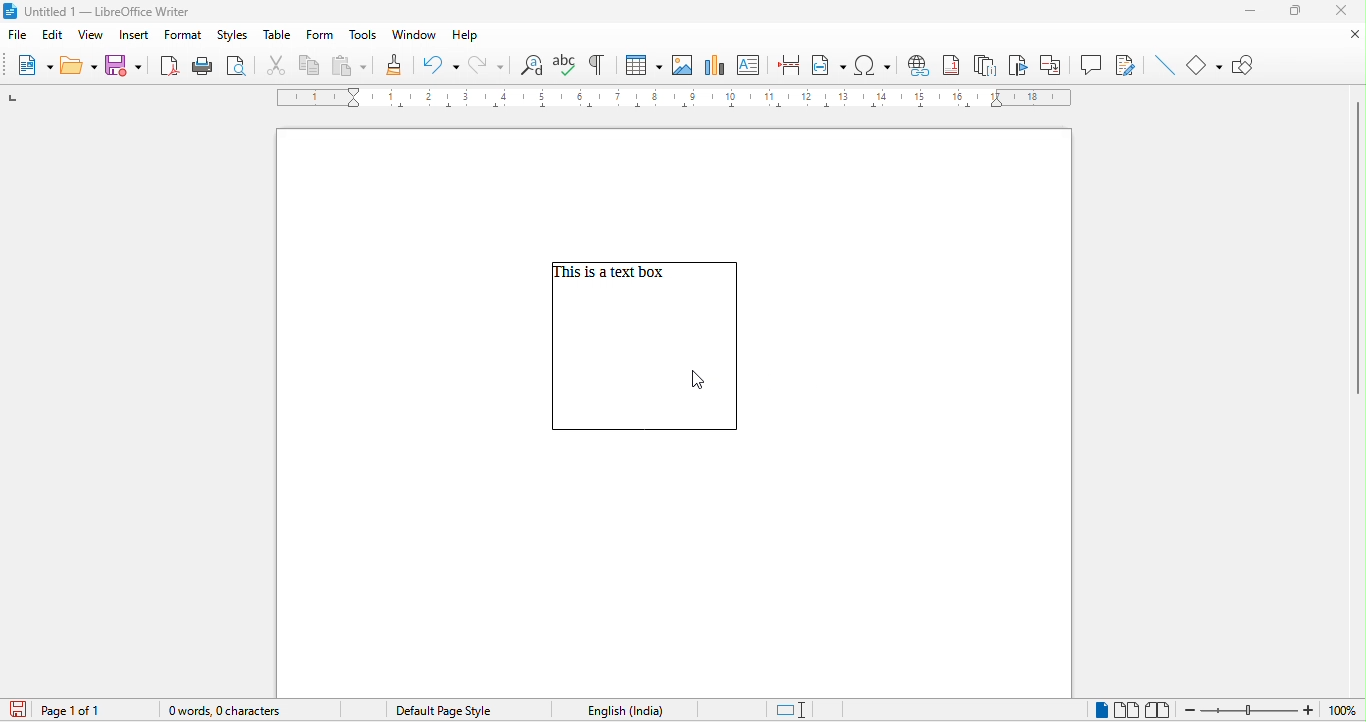 This screenshot has height=722, width=1366. What do you see at coordinates (16, 710) in the screenshot?
I see `click to save the document` at bounding box center [16, 710].